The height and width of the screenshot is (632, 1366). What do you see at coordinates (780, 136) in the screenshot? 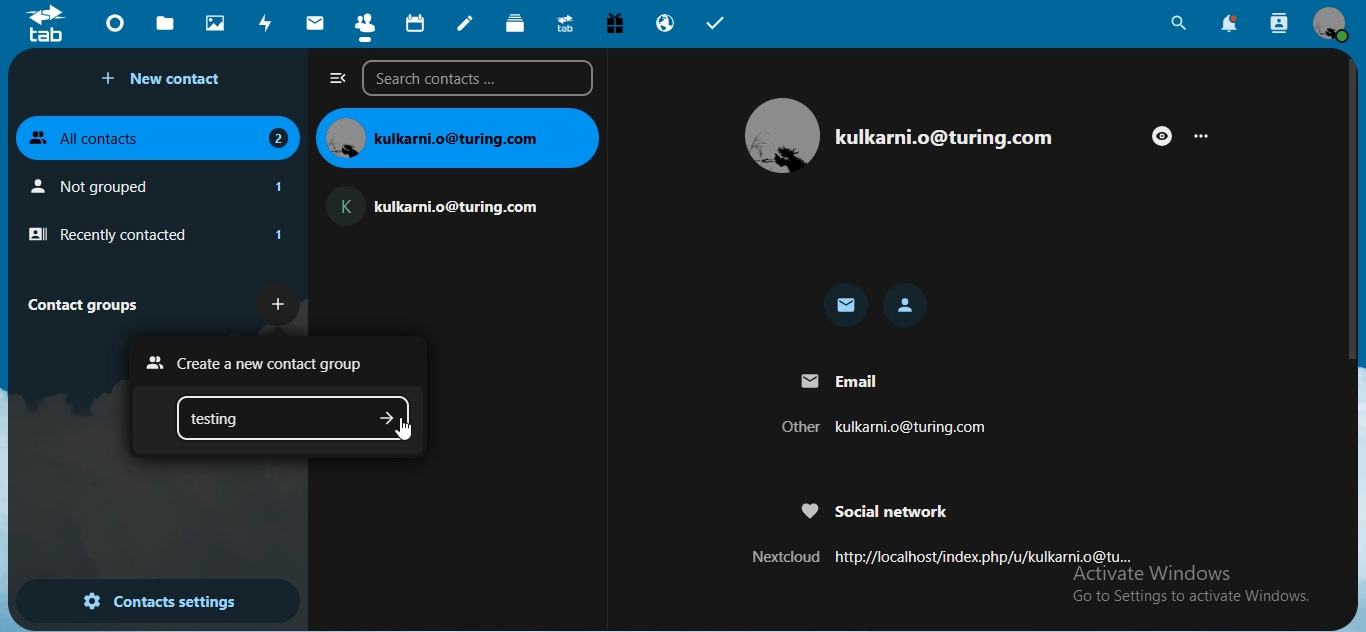
I see `profile picture` at bounding box center [780, 136].